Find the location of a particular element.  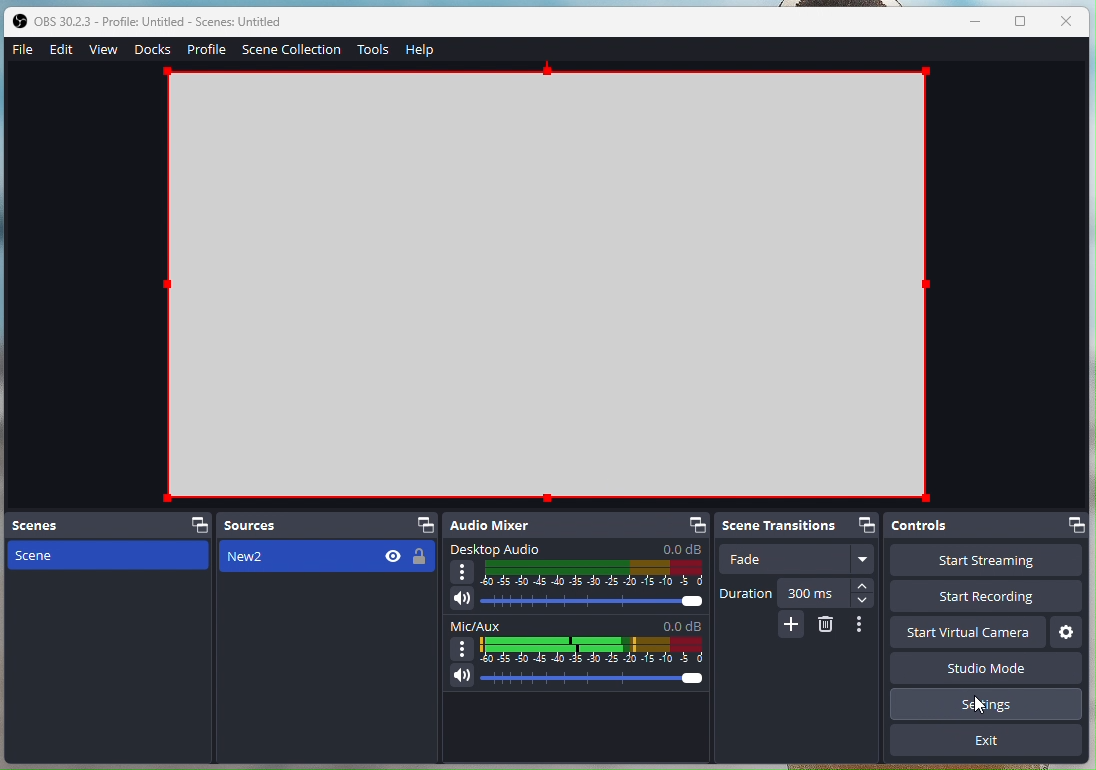

Tools is located at coordinates (376, 49).